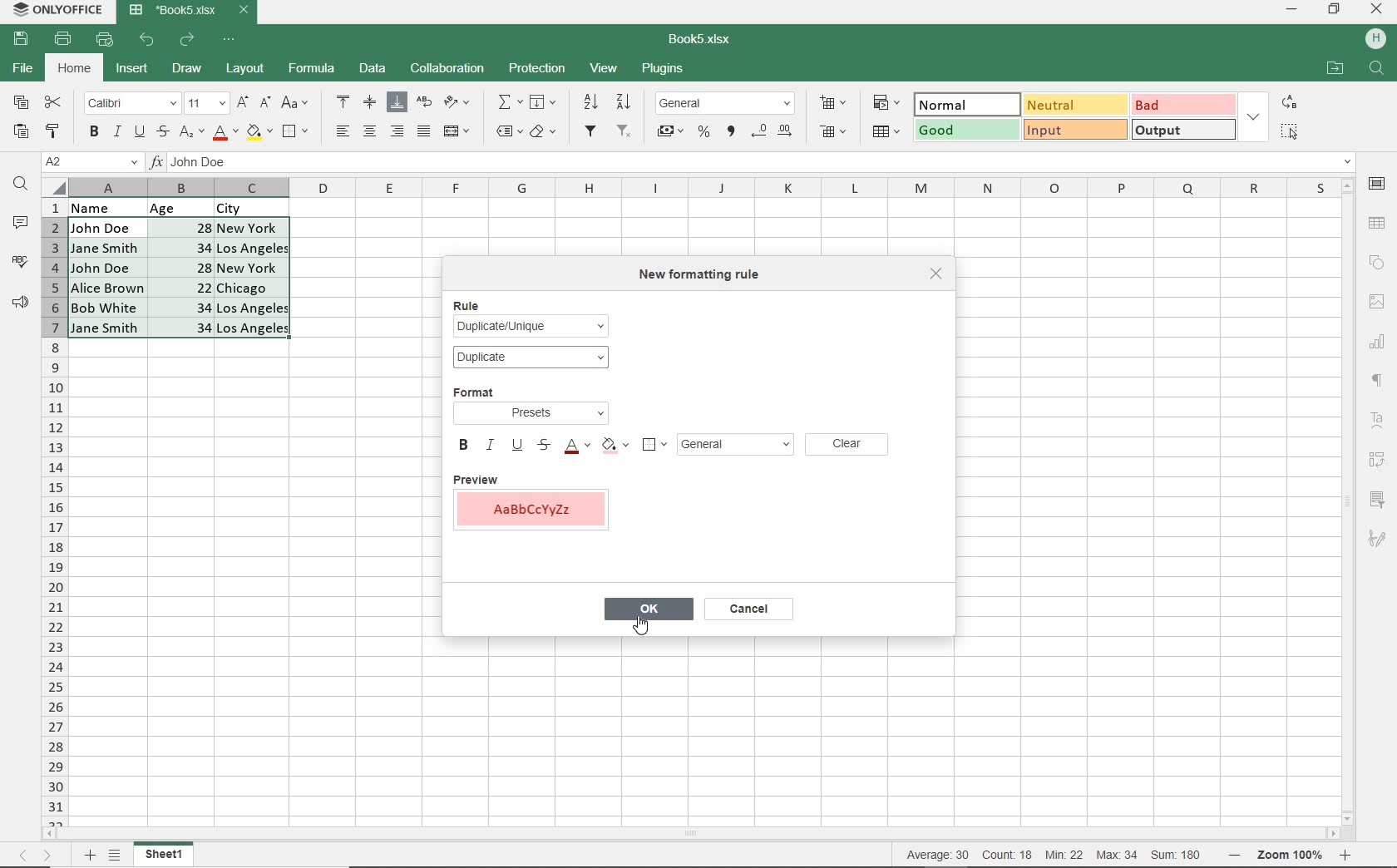 This screenshot has height=868, width=1397. Describe the element at coordinates (63, 38) in the screenshot. I see `PRINT` at that location.